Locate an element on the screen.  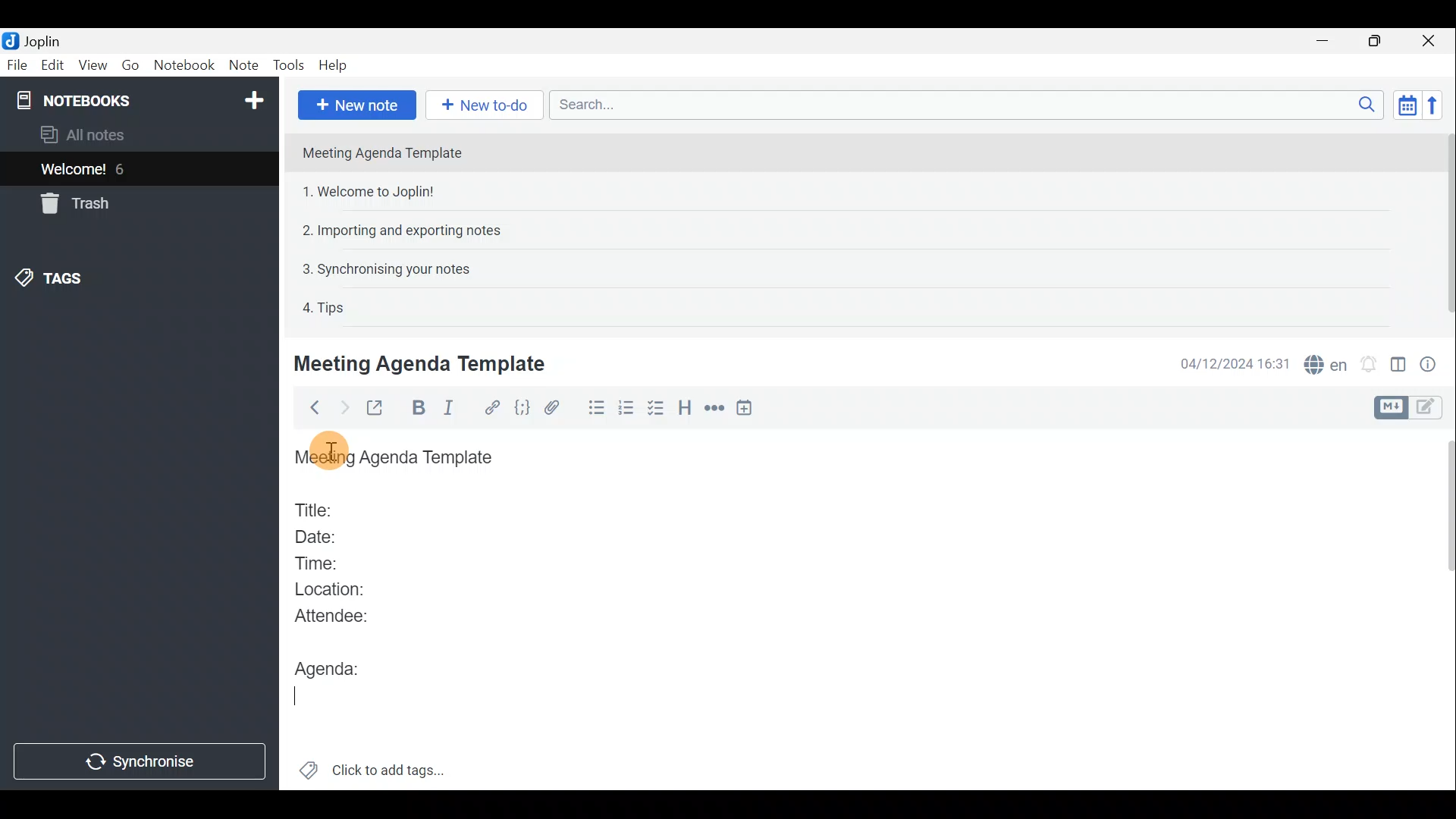
Tools is located at coordinates (287, 64).